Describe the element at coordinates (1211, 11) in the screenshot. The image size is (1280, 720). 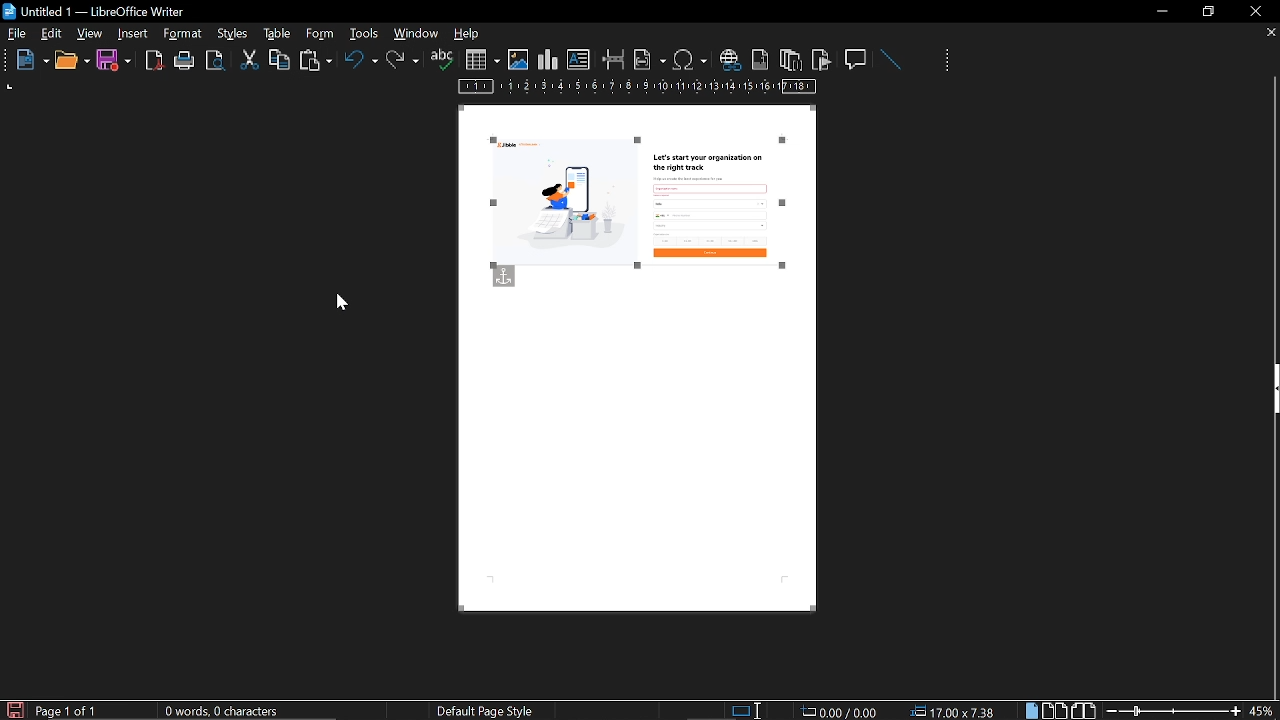
I see `restore down` at that location.